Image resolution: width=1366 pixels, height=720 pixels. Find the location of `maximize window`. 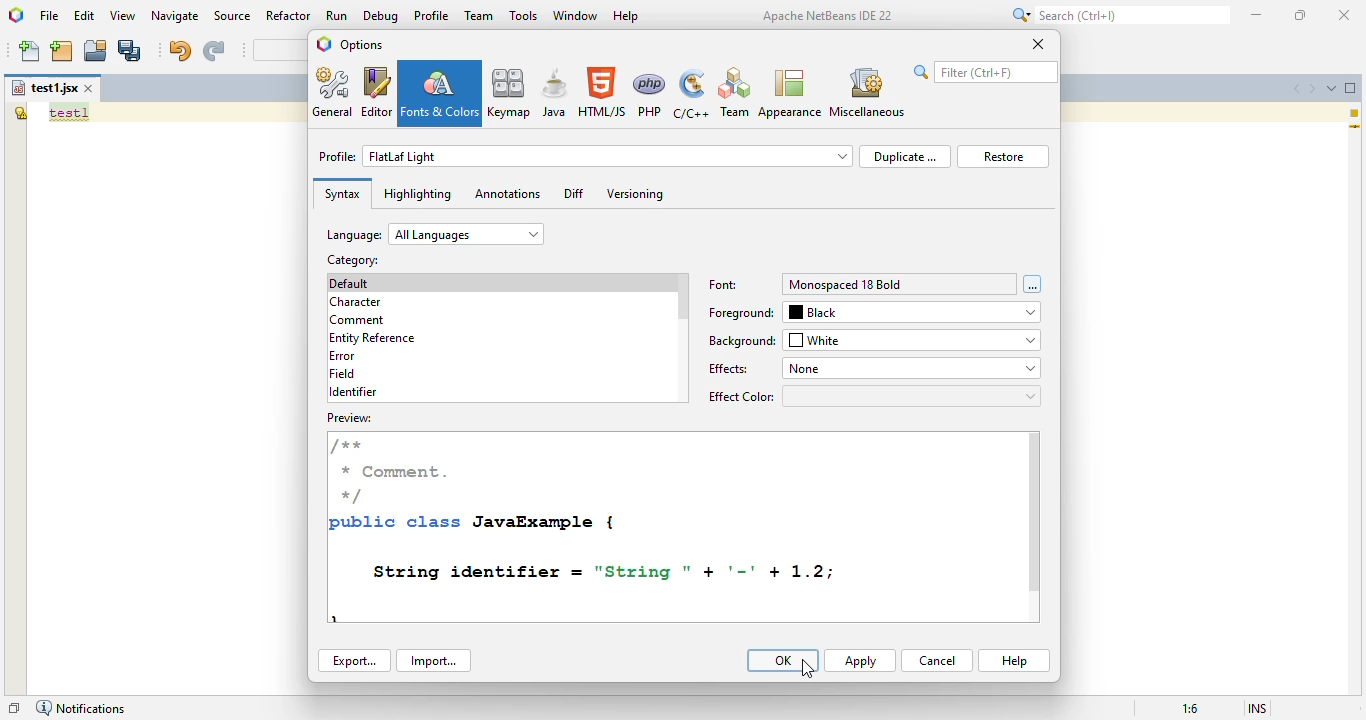

maximize window is located at coordinates (1351, 88).